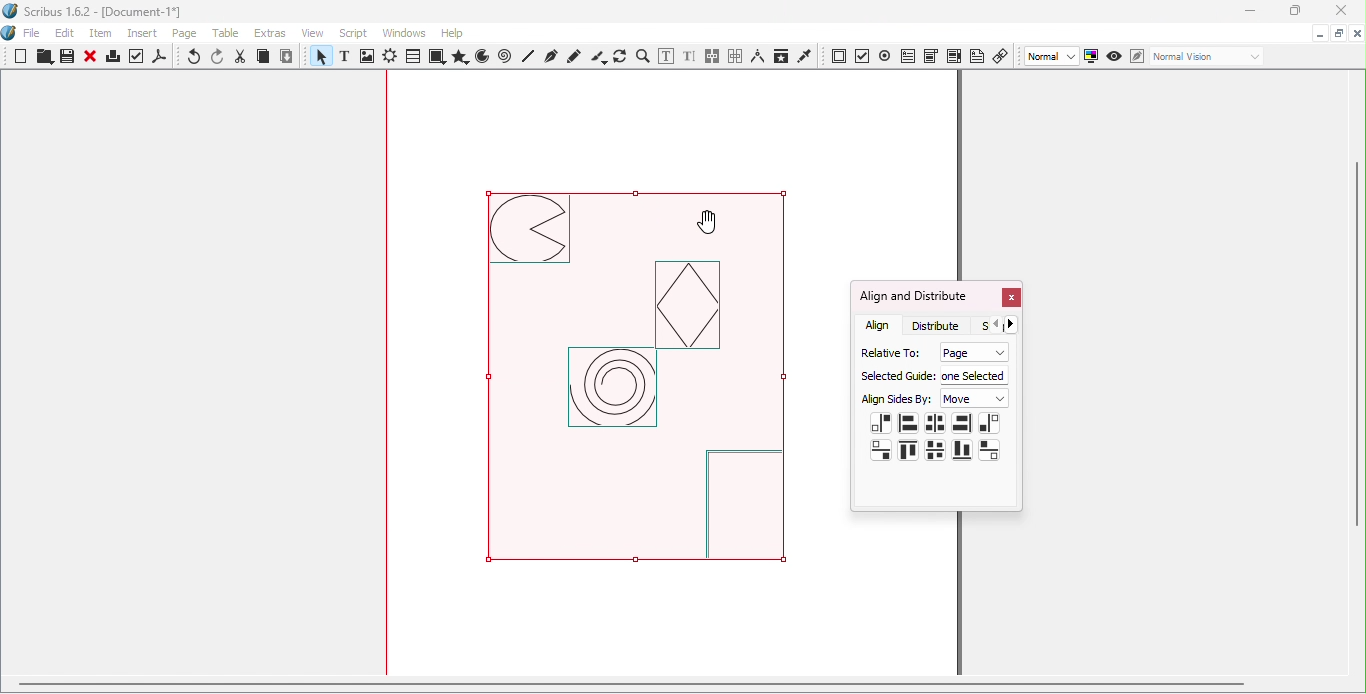 This screenshot has width=1366, height=694. What do you see at coordinates (839, 57) in the screenshot?
I see `PDF push button` at bounding box center [839, 57].